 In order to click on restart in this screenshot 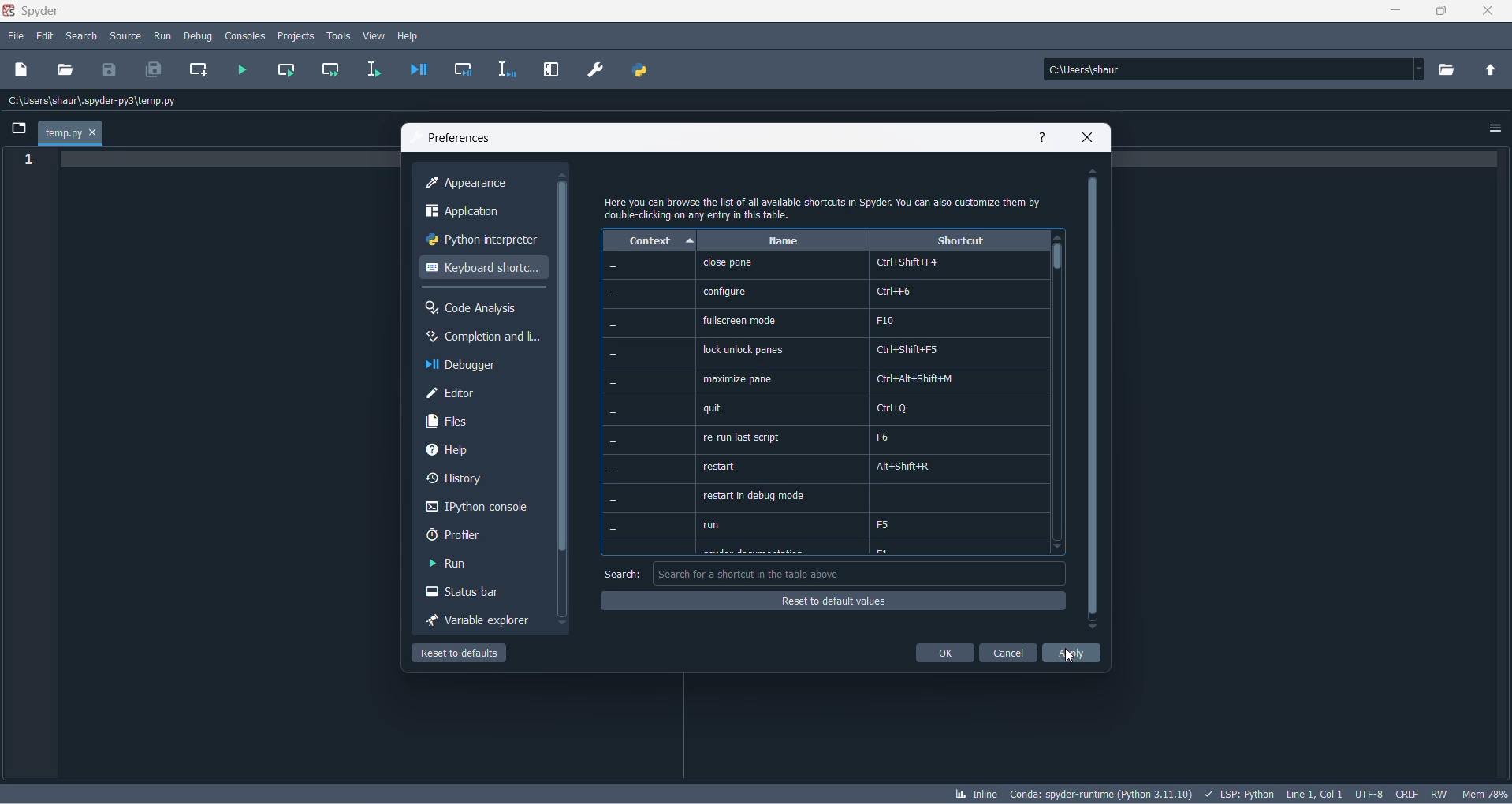, I will do `click(721, 467)`.